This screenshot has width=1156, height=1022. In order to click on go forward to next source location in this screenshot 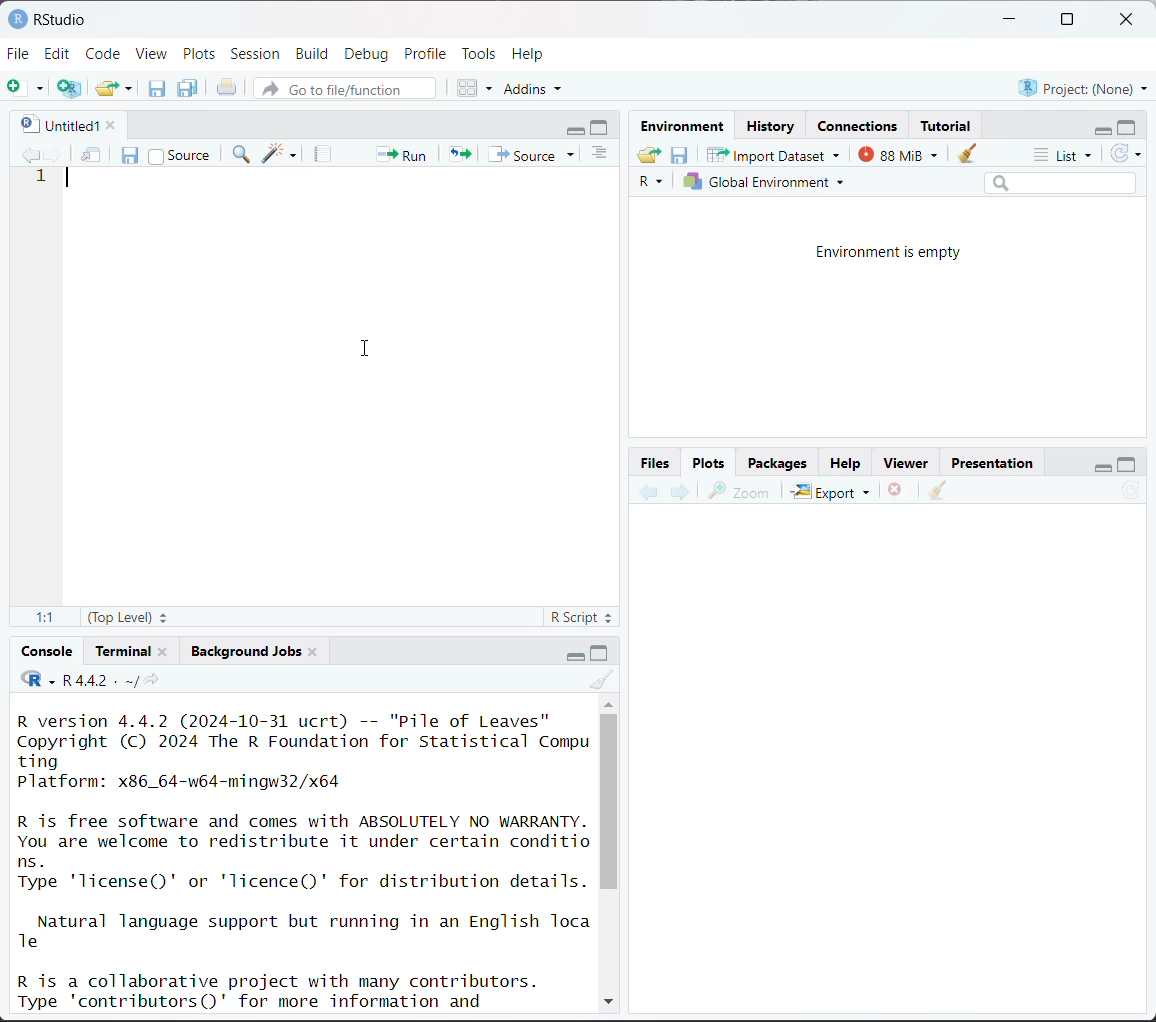, I will do `click(54, 156)`.